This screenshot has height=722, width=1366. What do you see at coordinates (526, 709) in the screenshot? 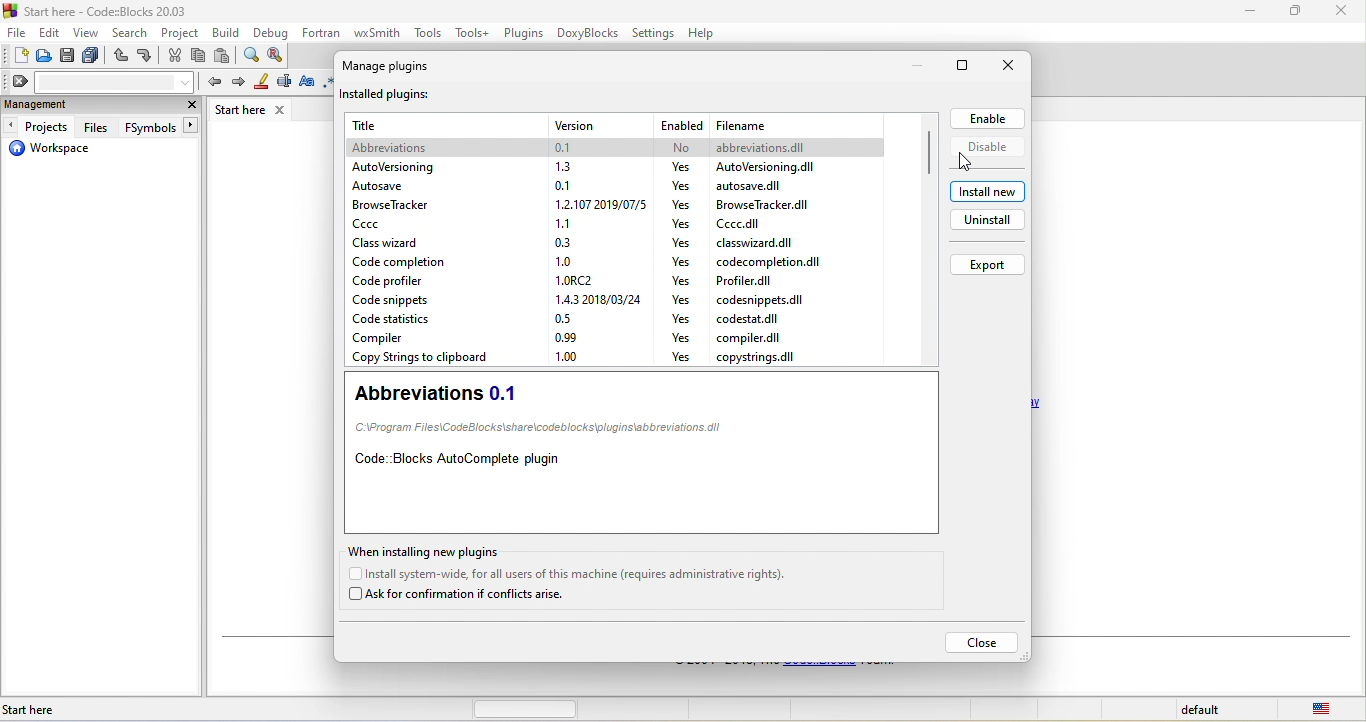
I see `horizontal scroll bar` at bounding box center [526, 709].